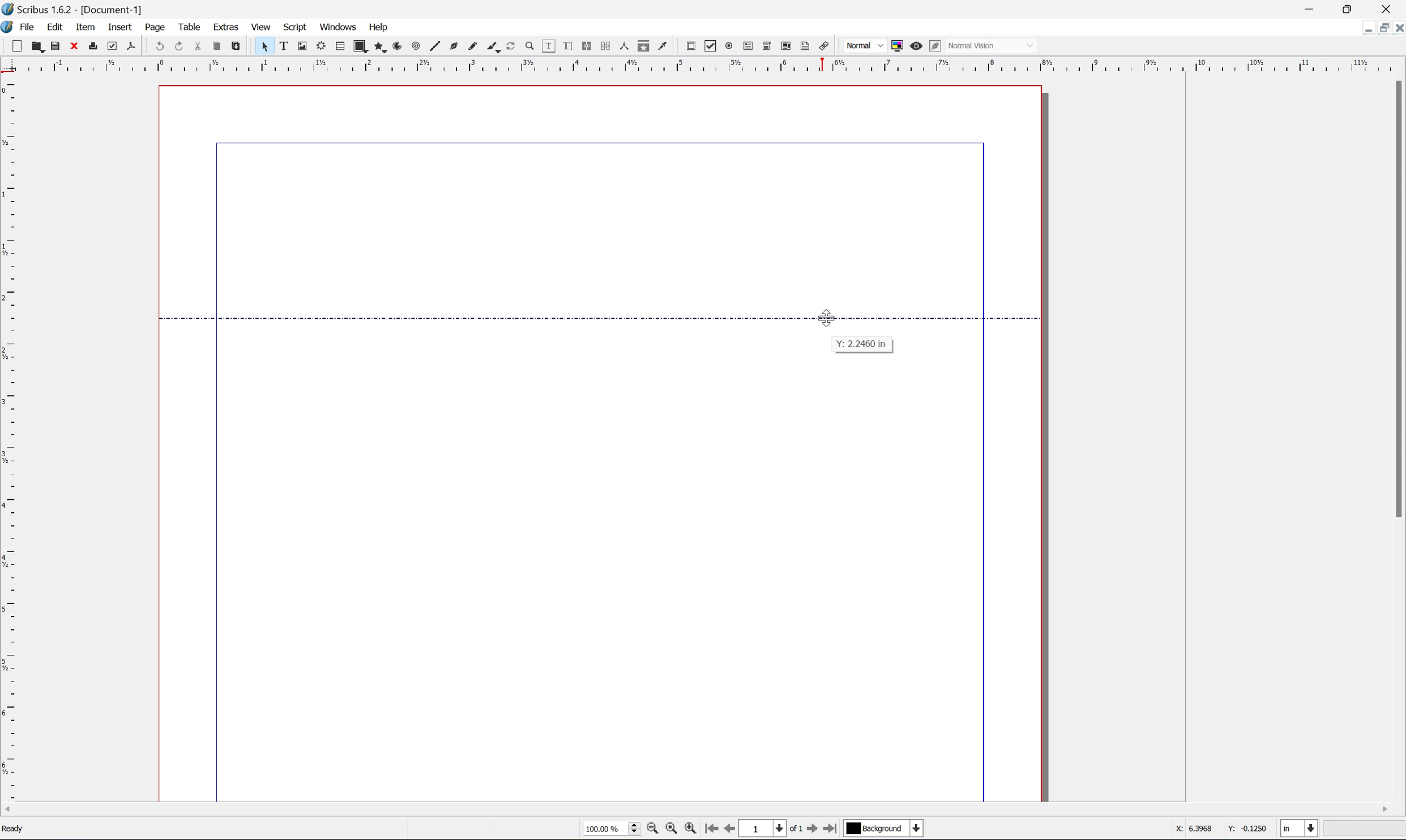 This screenshot has width=1406, height=840. Describe the element at coordinates (27, 25) in the screenshot. I see `file` at that location.